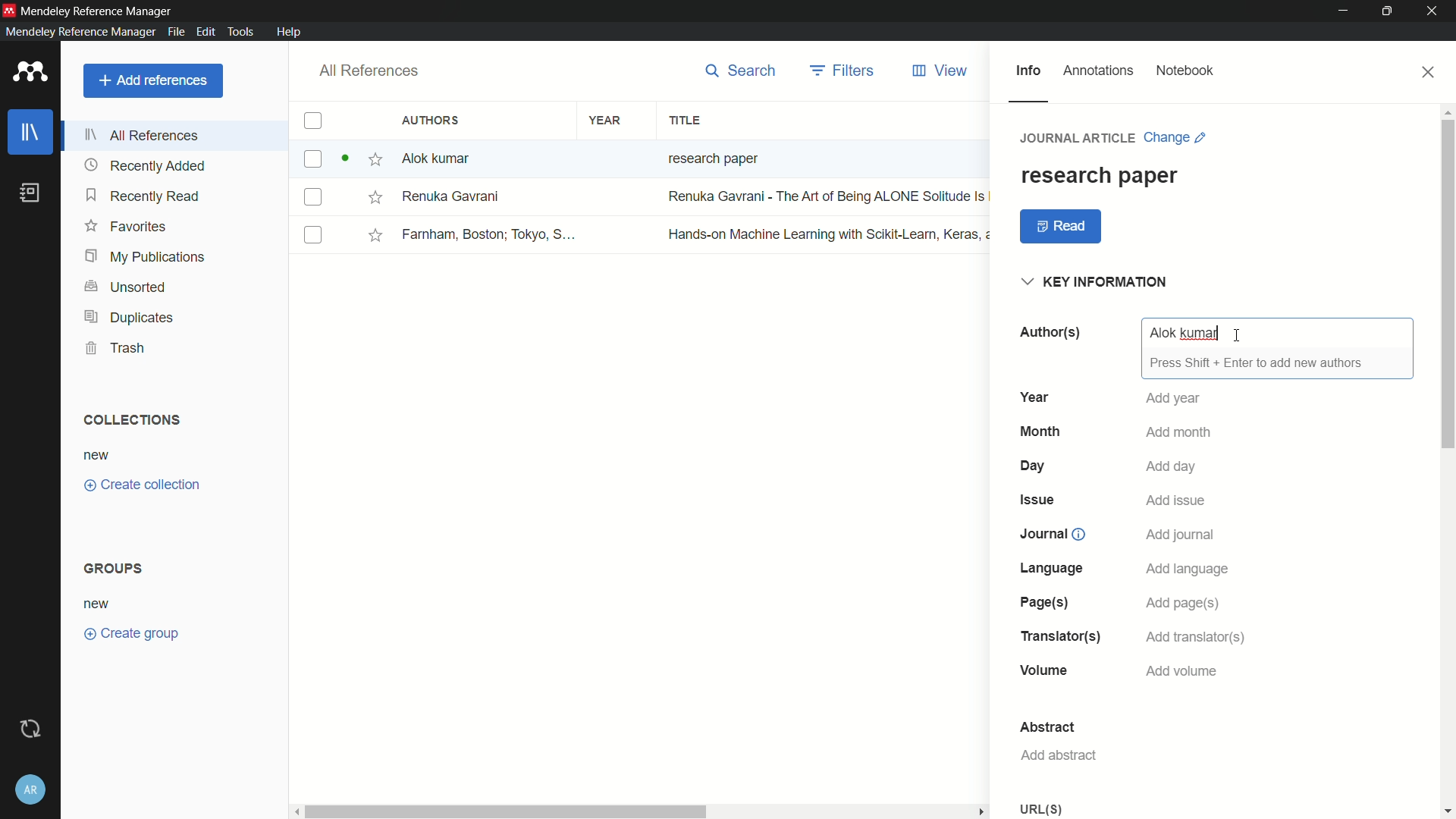  Describe the element at coordinates (98, 11) in the screenshot. I see `app name` at that location.